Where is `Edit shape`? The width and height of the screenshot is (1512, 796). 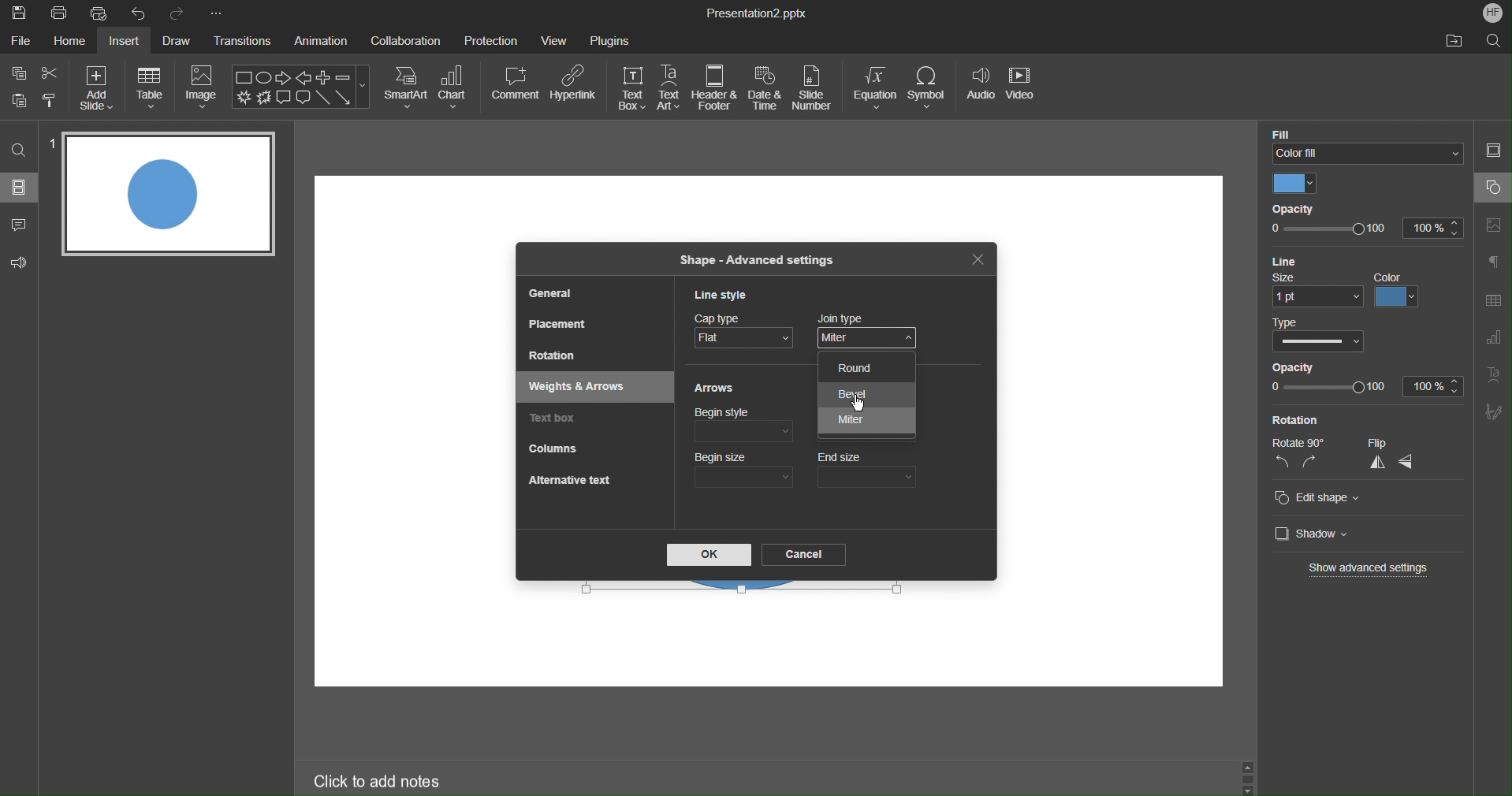
Edit shape is located at coordinates (1318, 499).